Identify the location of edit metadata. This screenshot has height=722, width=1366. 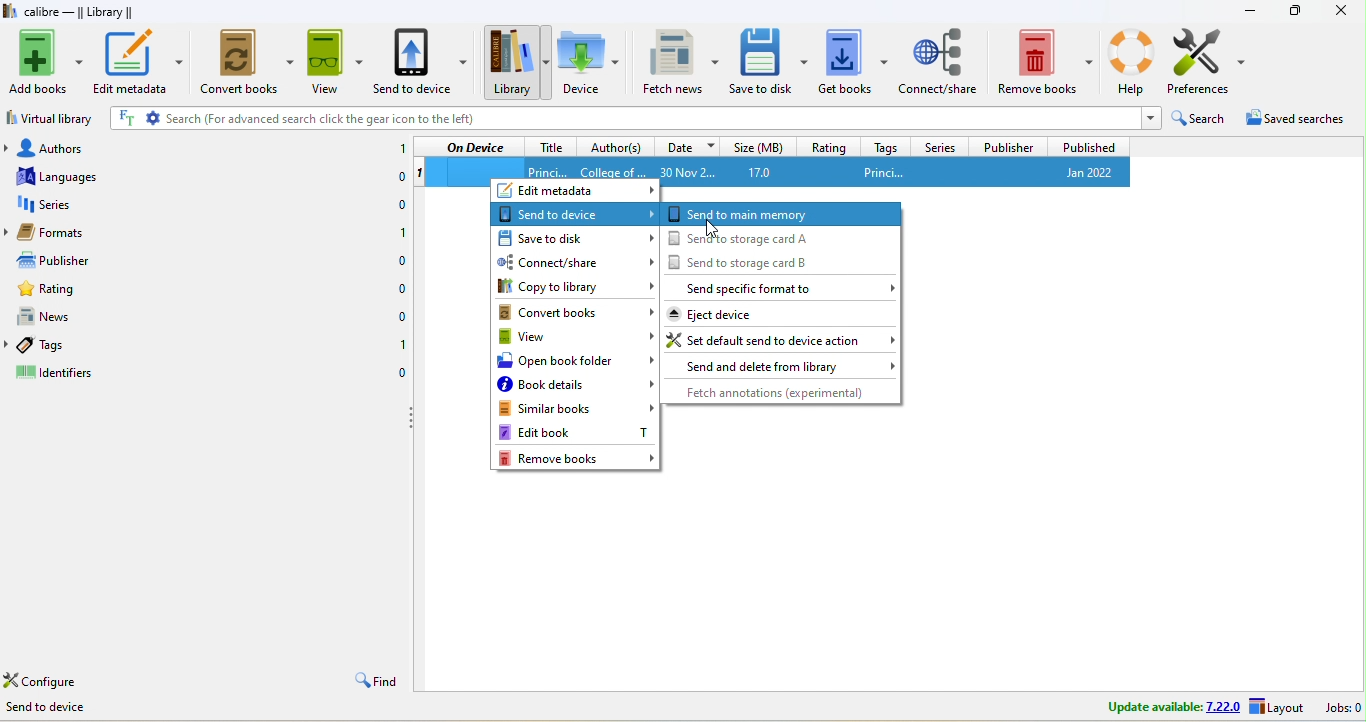
(140, 61).